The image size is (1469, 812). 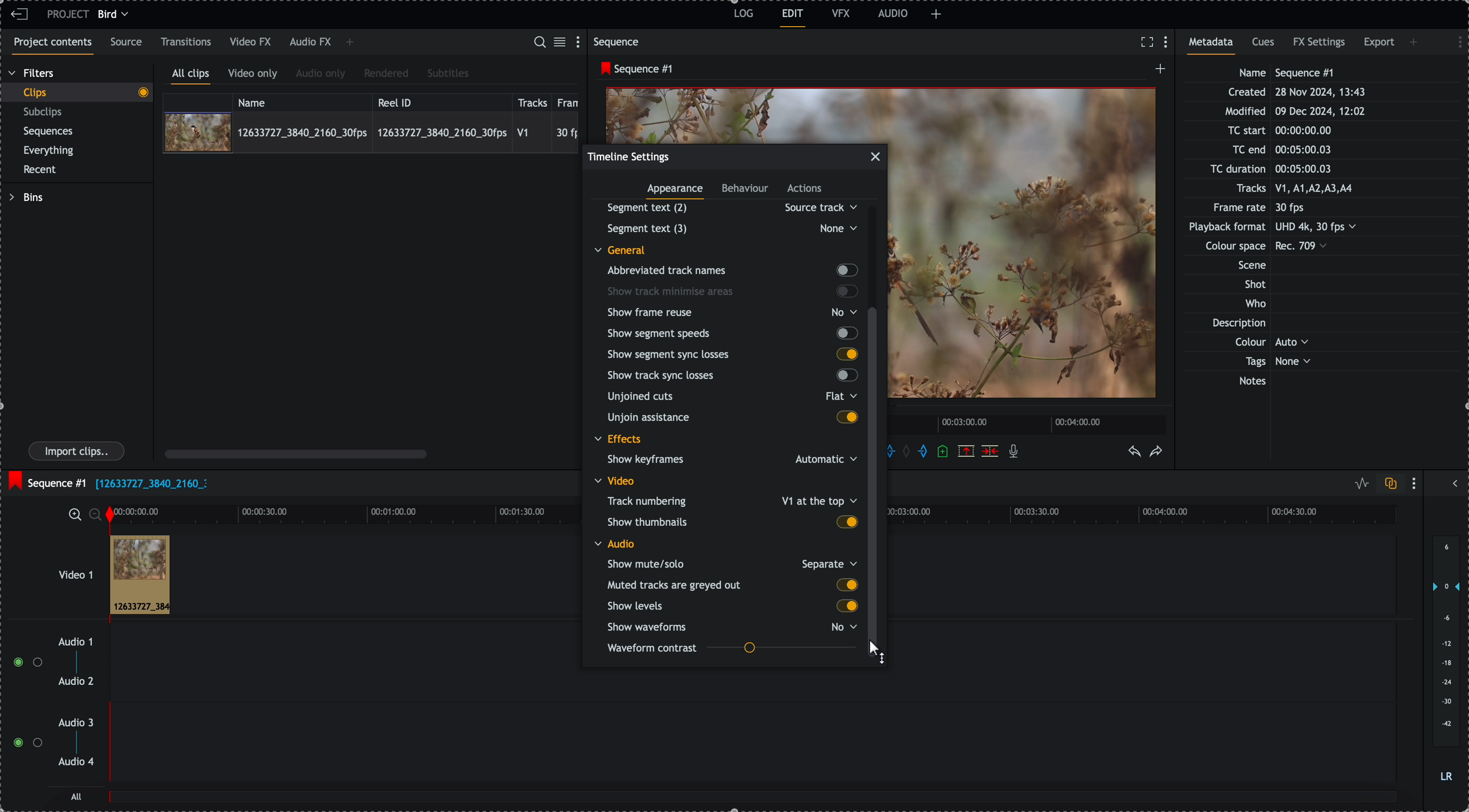 I want to click on filters, so click(x=33, y=74).